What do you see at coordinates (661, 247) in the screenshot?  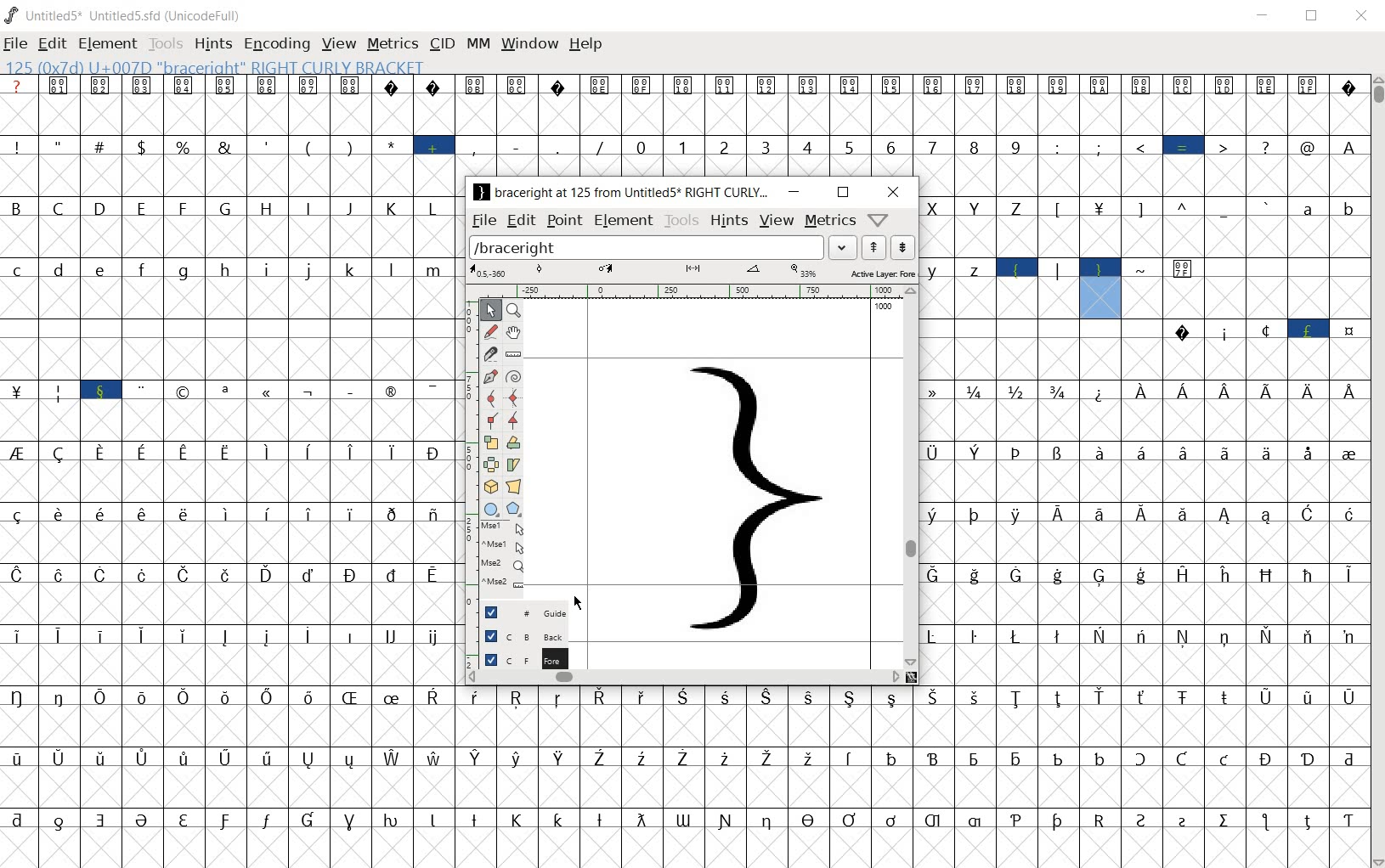 I see `load word list` at bounding box center [661, 247].